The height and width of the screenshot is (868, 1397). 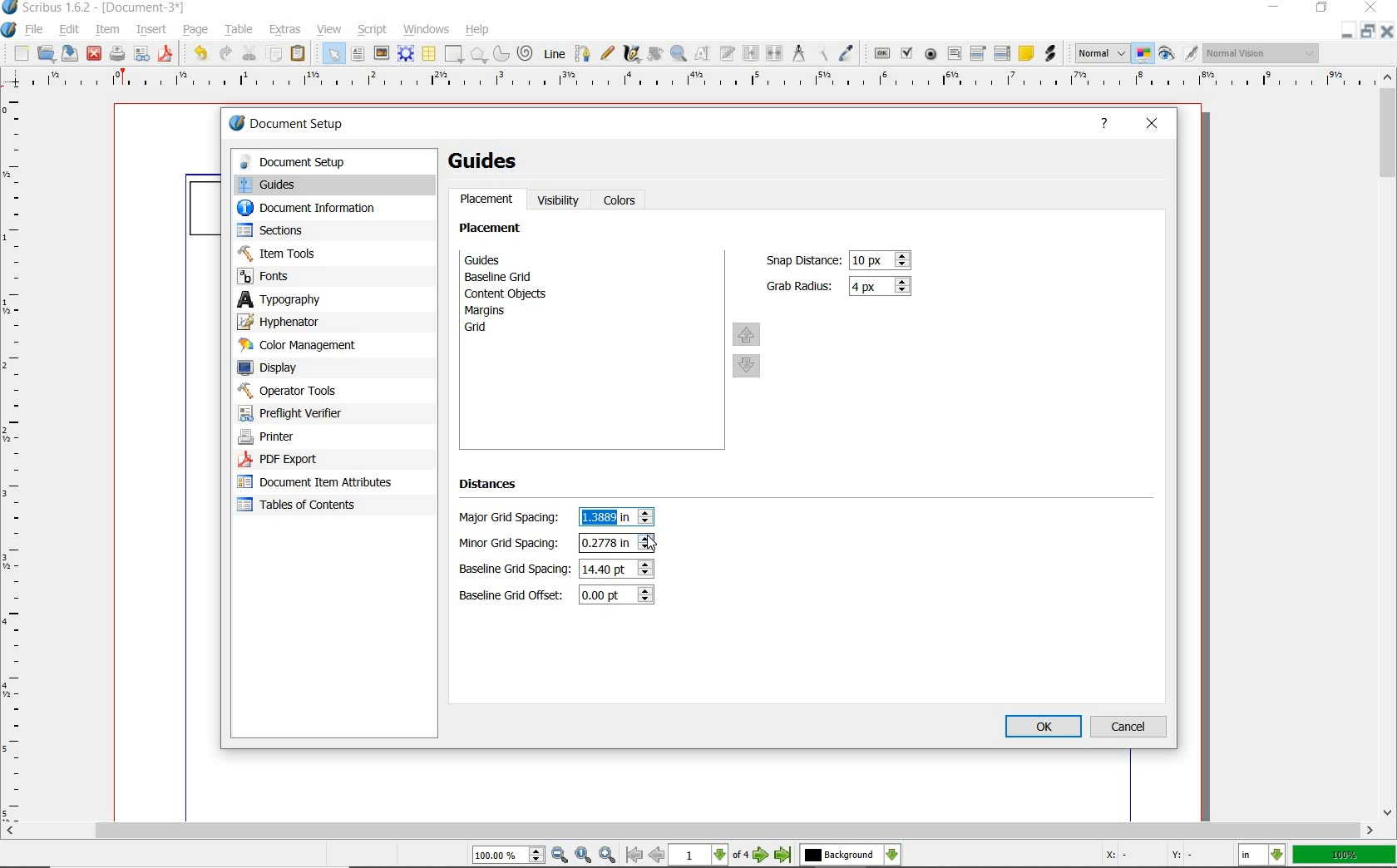 I want to click on measurements, so click(x=797, y=52).